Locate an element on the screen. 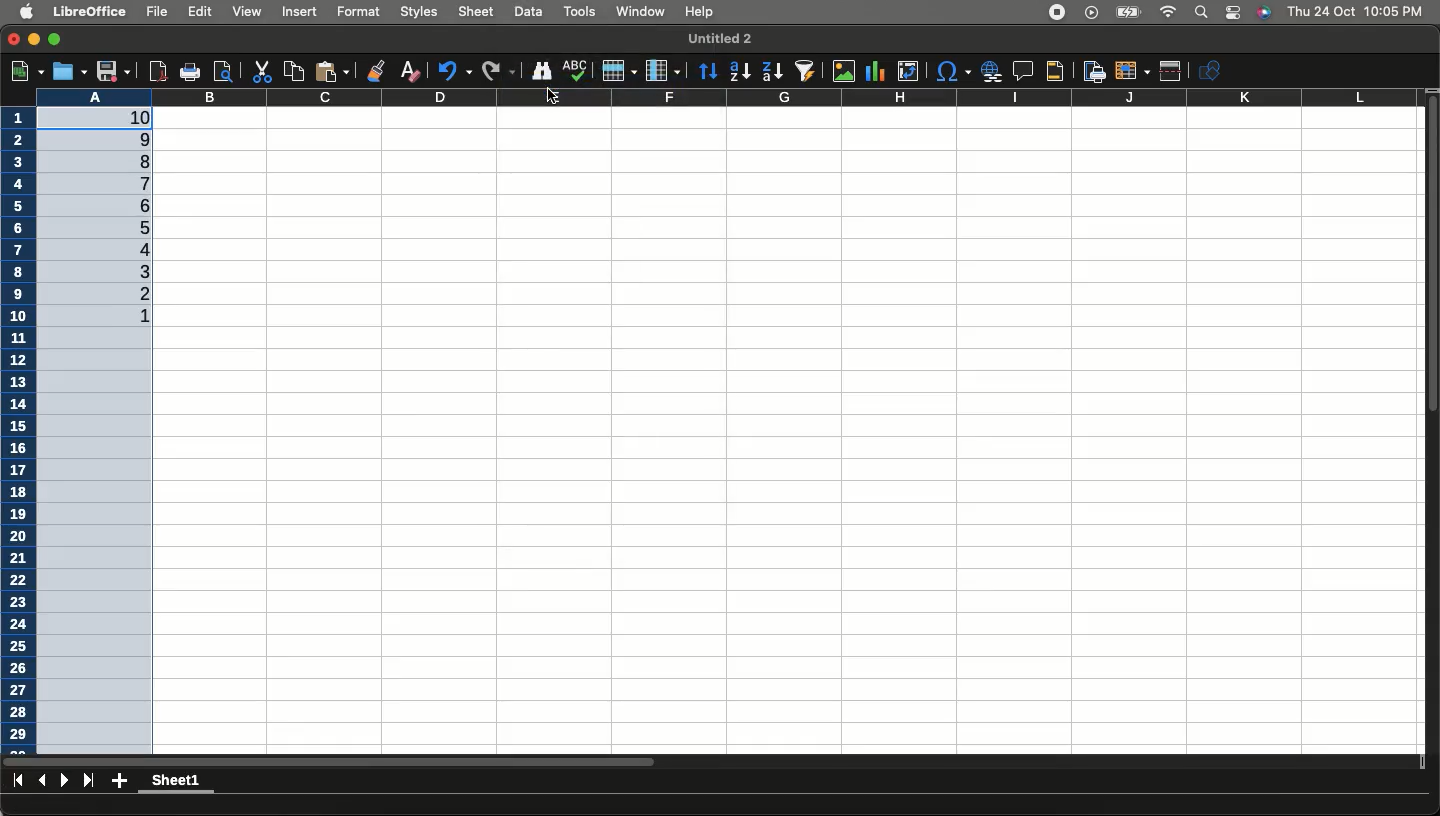 This screenshot has height=816, width=1440. Insert hyperlink is located at coordinates (989, 71).